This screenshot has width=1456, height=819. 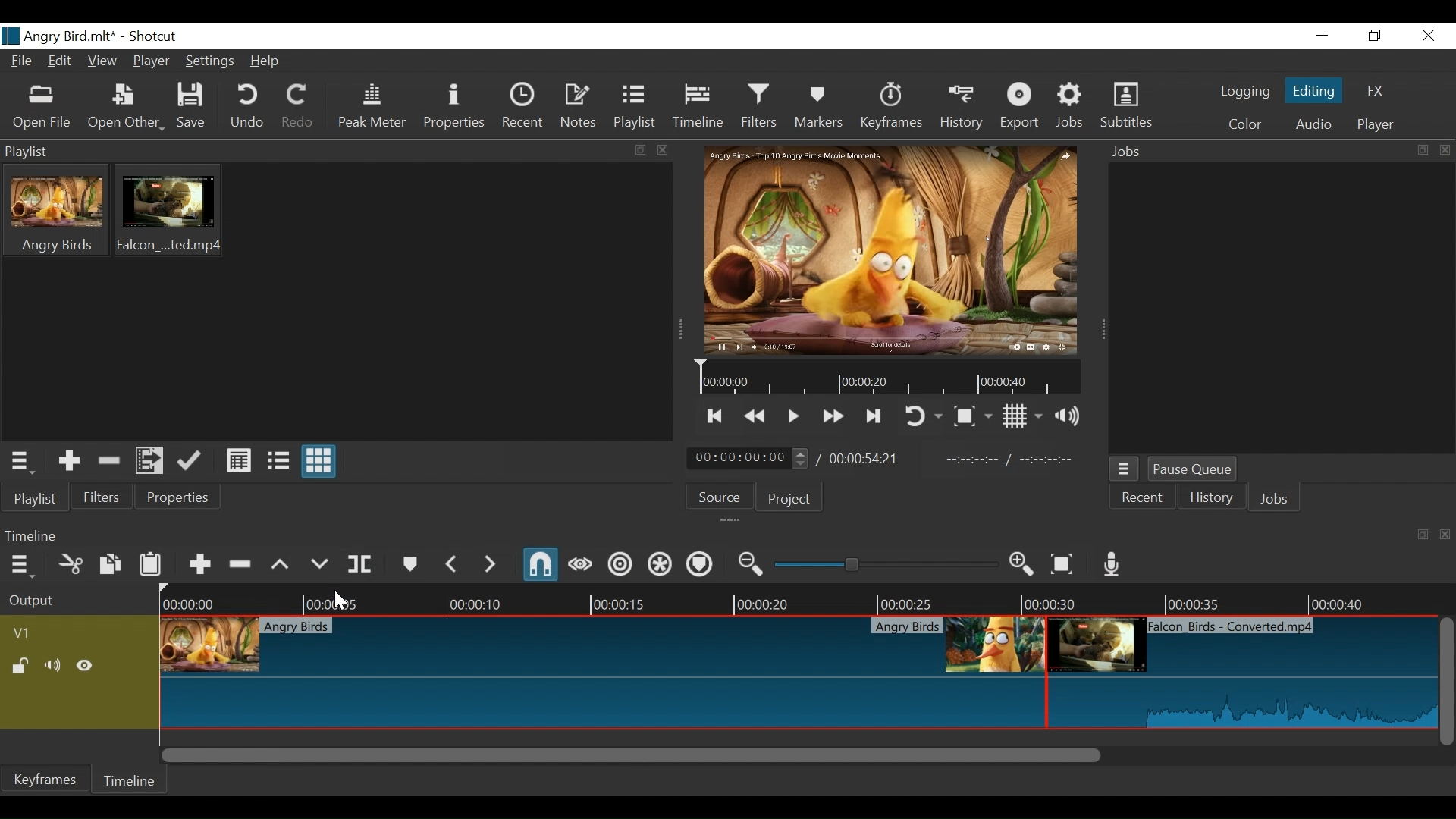 I want to click on Audio, so click(x=1313, y=124).